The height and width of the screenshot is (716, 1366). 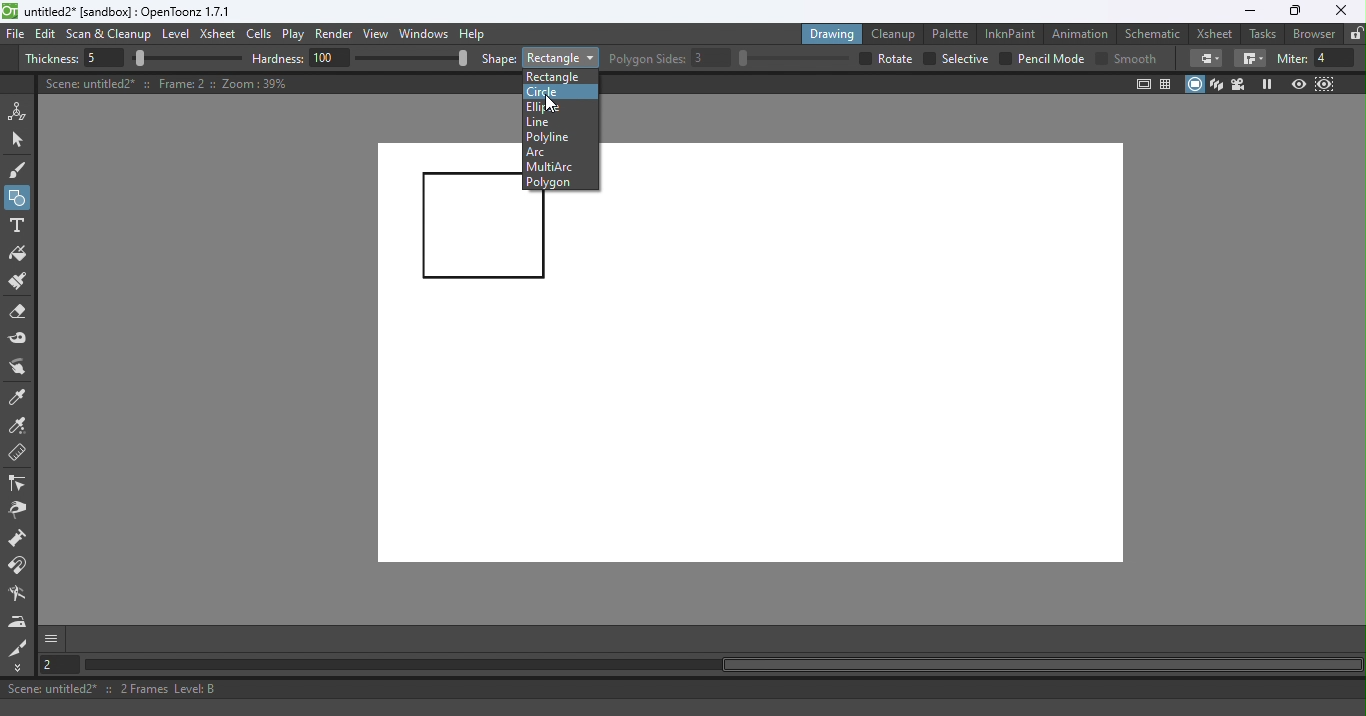 I want to click on Cutter tool, so click(x=18, y=647).